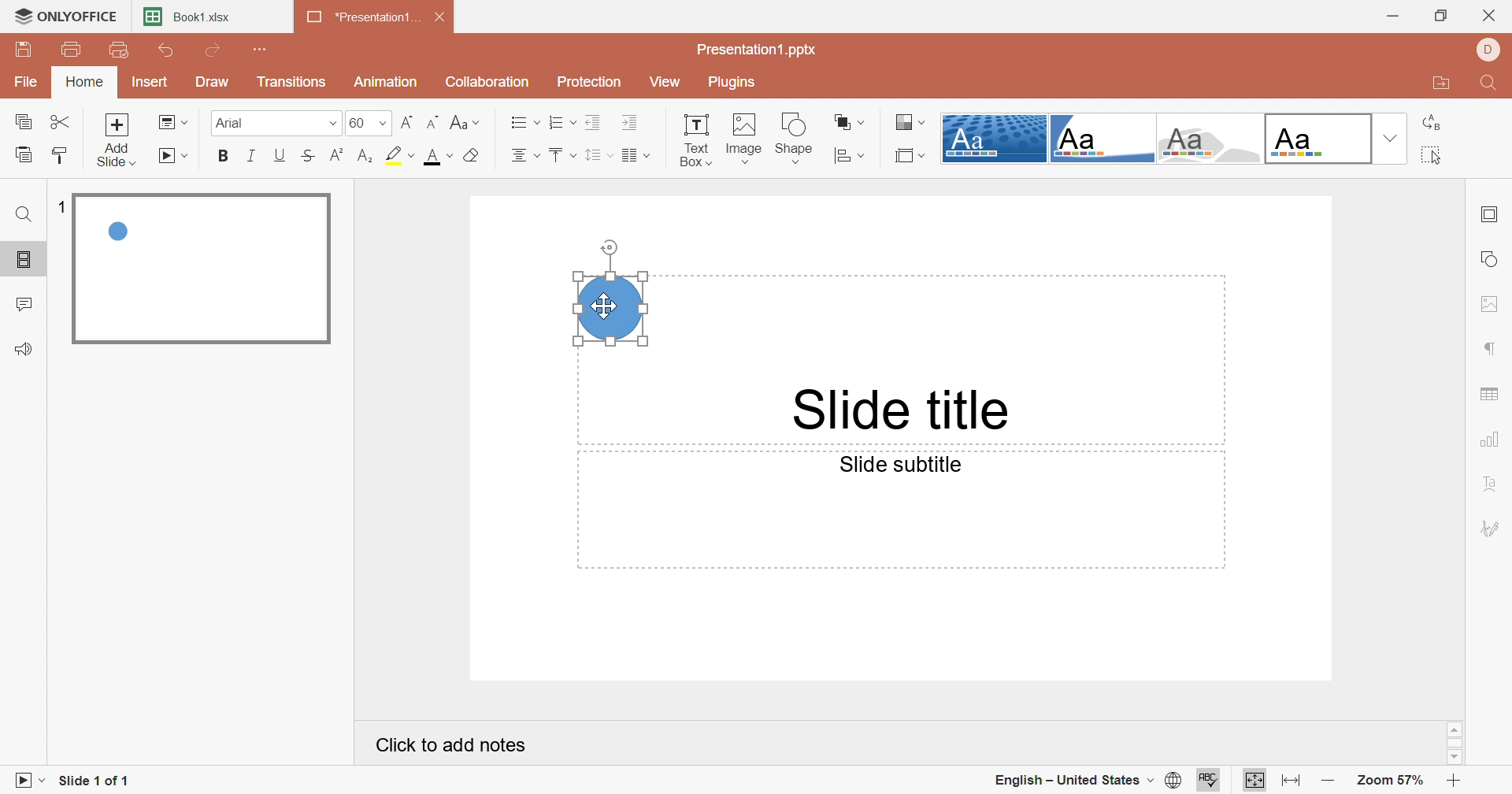 This screenshot has width=1512, height=794. What do you see at coordinates (1388, 139) in the screenshot?
I see `Drop down` at bounding box center [1388, 139].